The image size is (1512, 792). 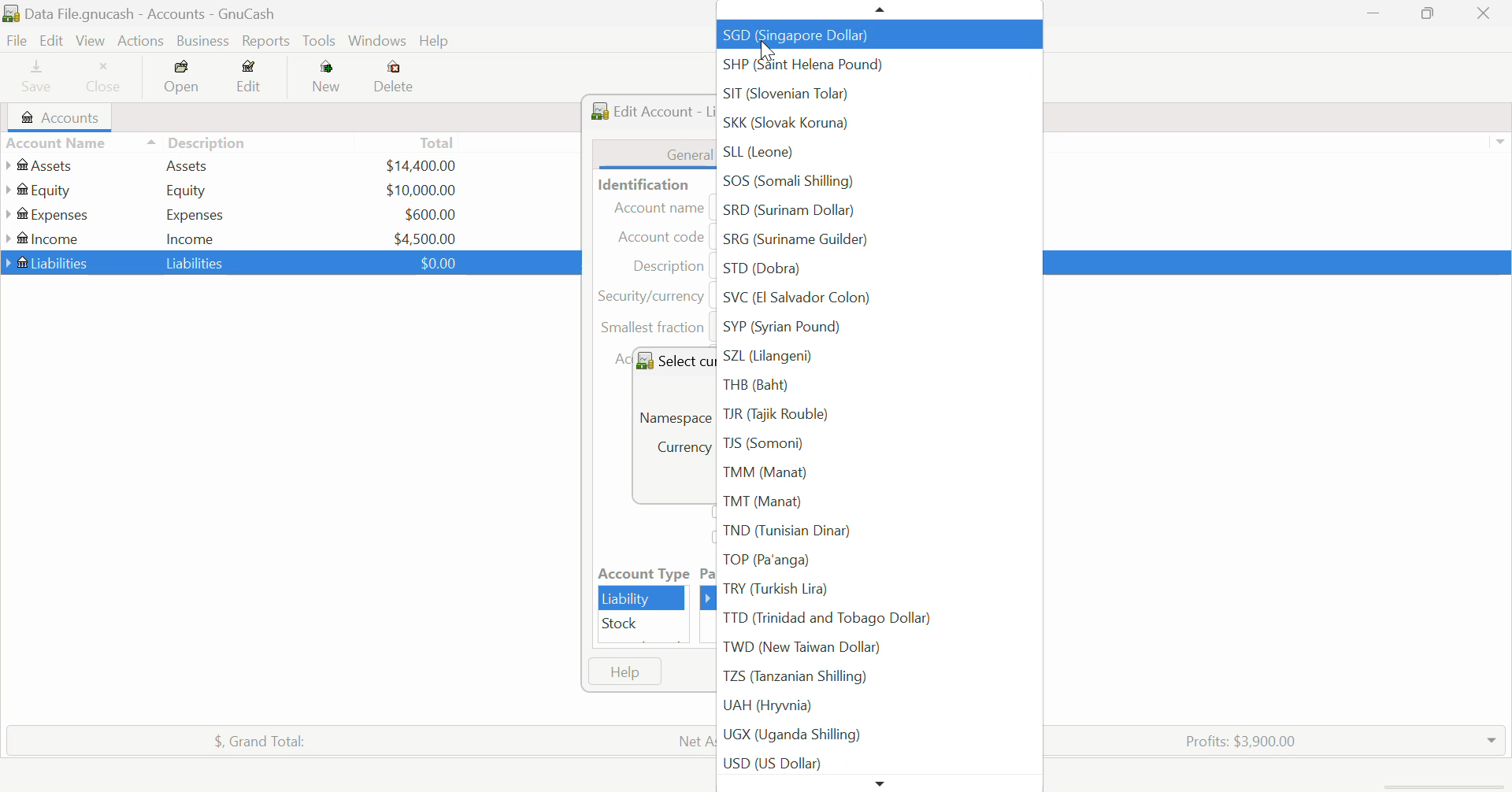 I want to click on Edit, so click(x=250, y=80).